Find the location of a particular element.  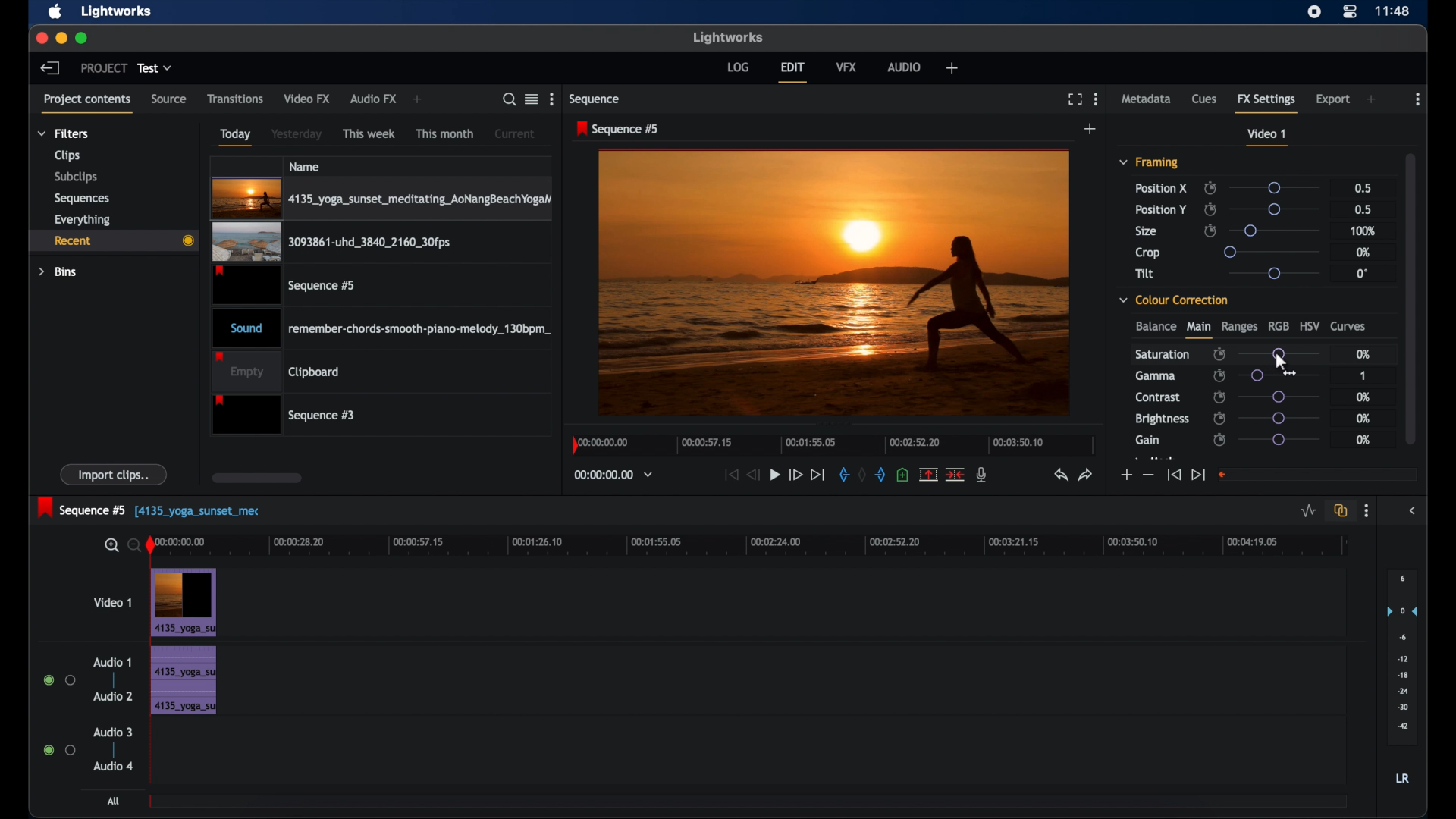

lightworks is located at coordinates (728, 37).